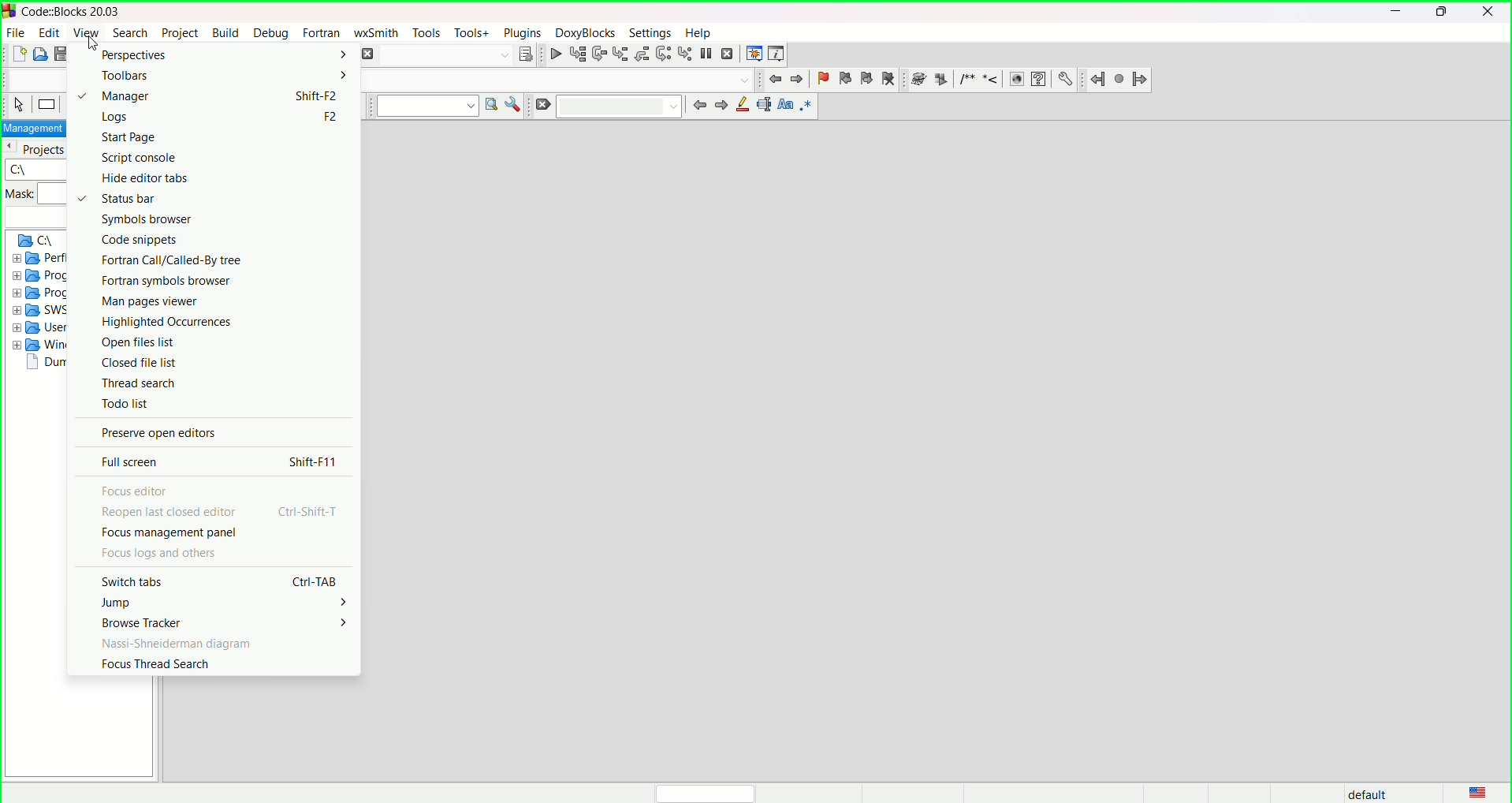 The image size is (1512, 803). I want to click on show the select target, so click(527, 54).